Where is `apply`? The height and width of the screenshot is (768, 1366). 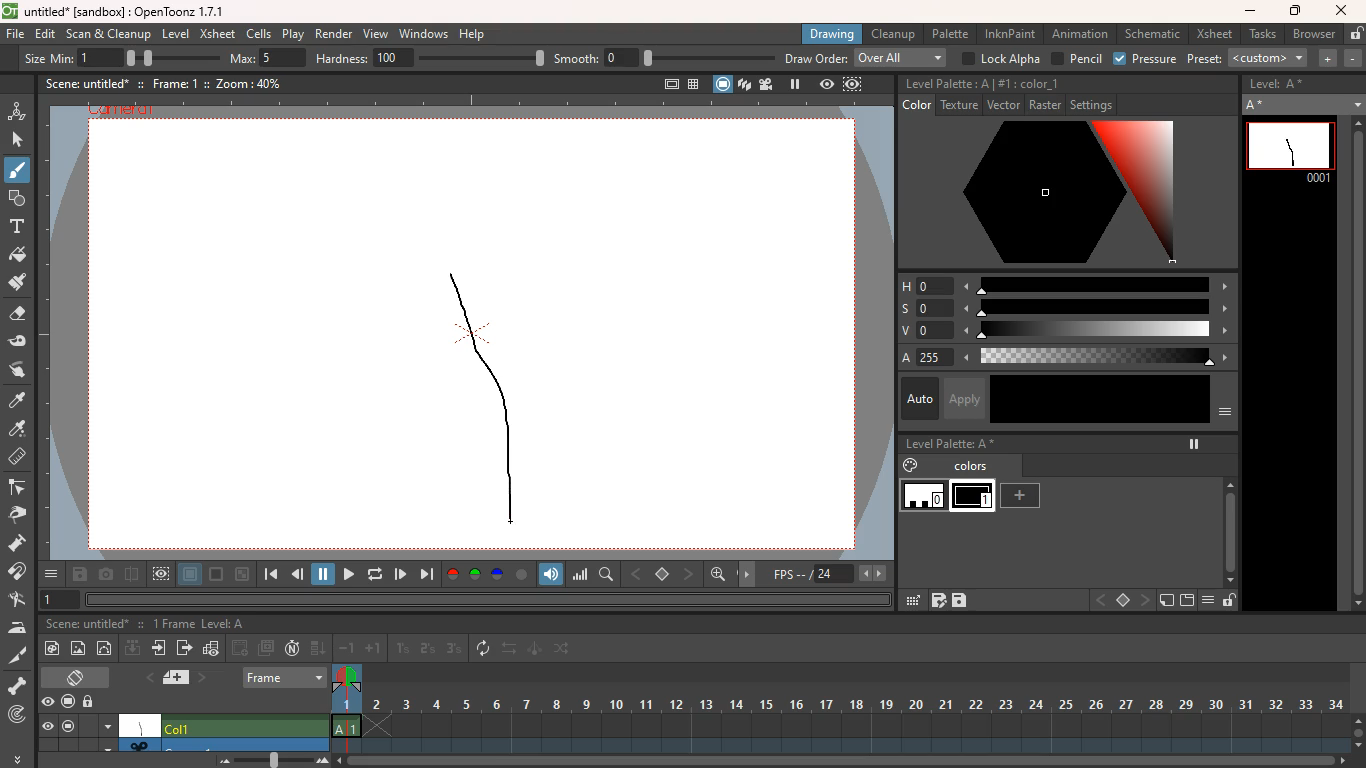 apply is located at coordinates (967, 398).